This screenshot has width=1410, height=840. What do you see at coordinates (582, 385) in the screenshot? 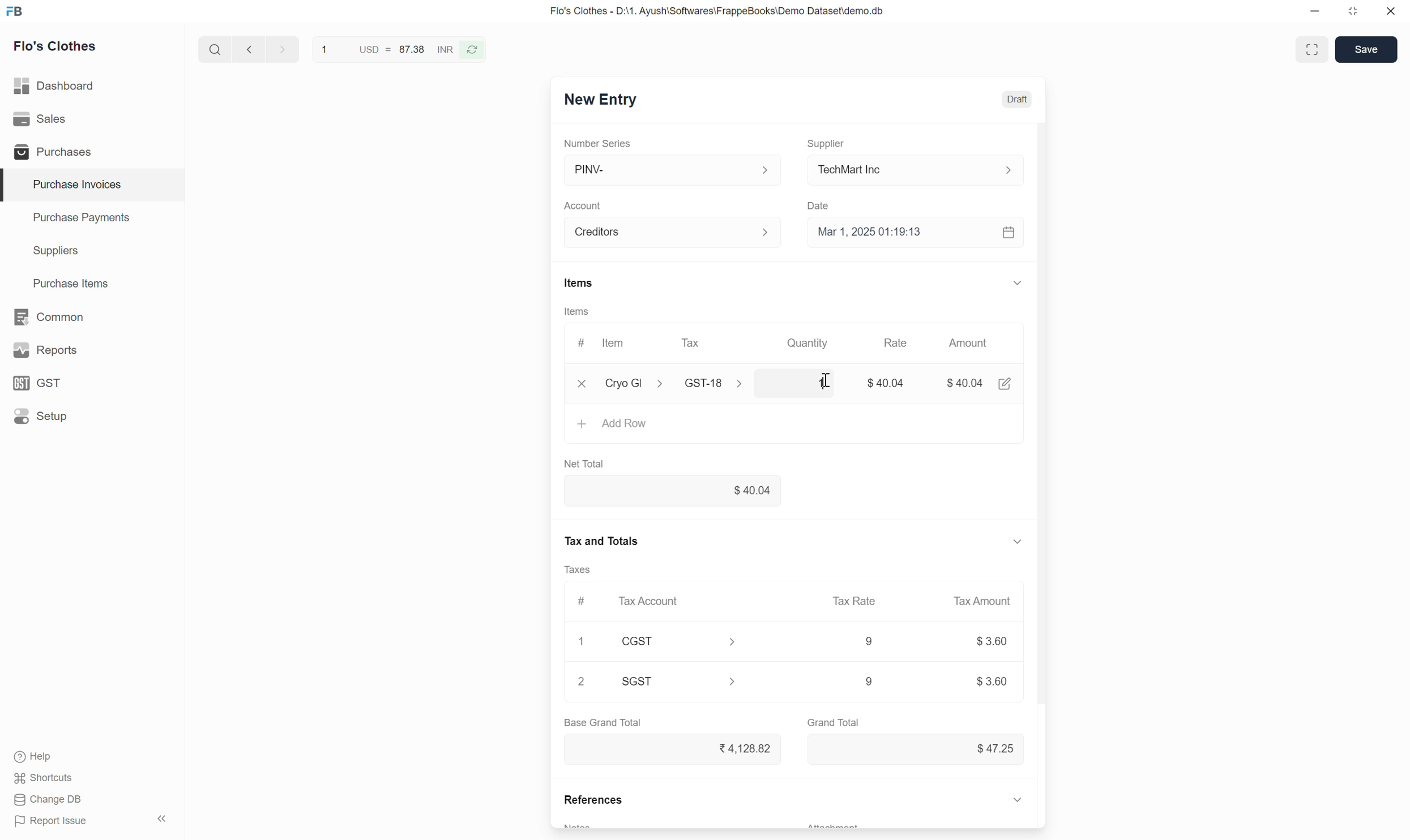
I see `x` at bounding box center [582, 385].